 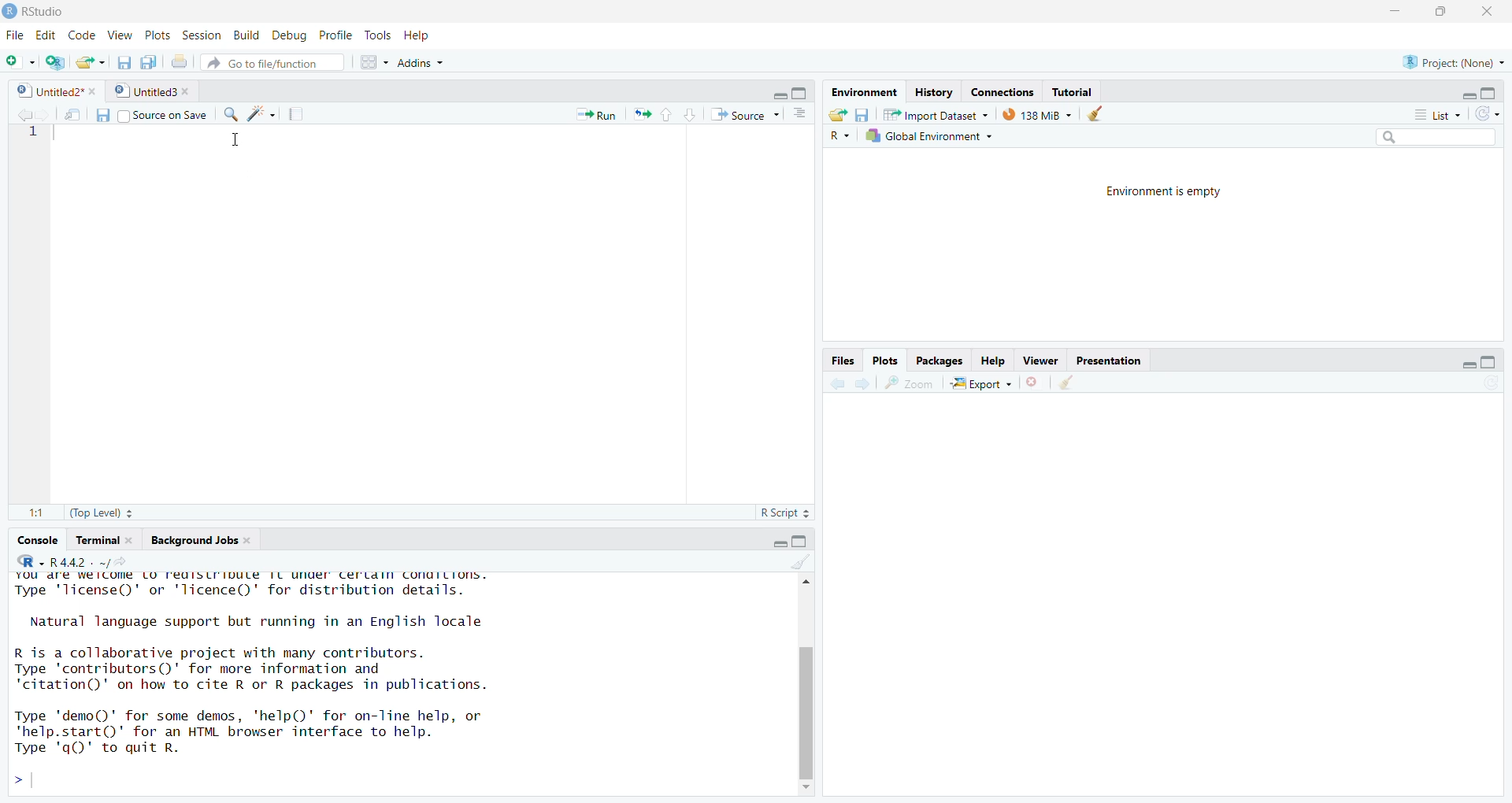 What do you see at coordinates (800, 116) in the screenshot?
I see `Show document outline` at bounding box center [800, 116].